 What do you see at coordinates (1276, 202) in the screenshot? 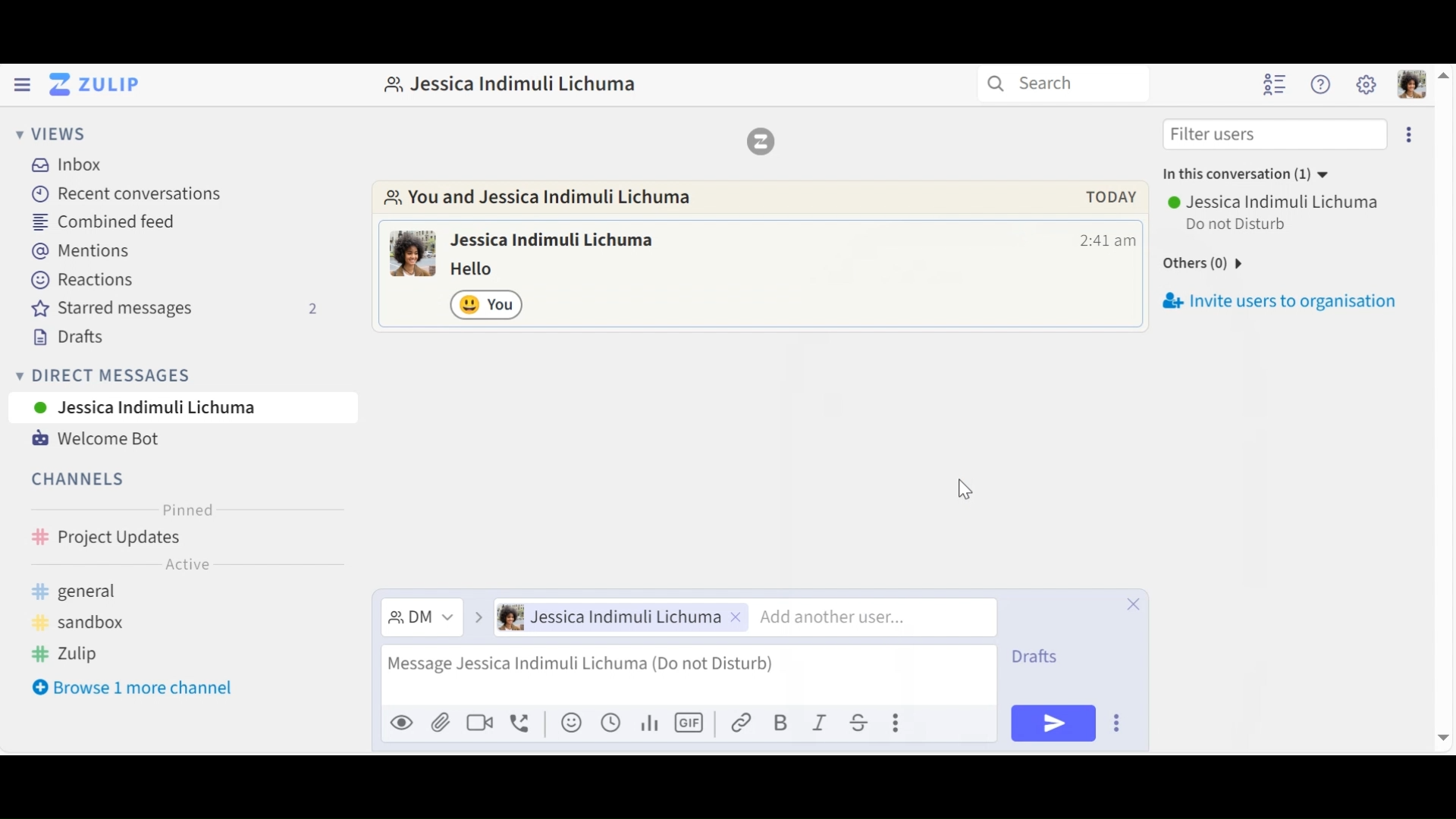
I see `User` at bounding box center [1276, 202].